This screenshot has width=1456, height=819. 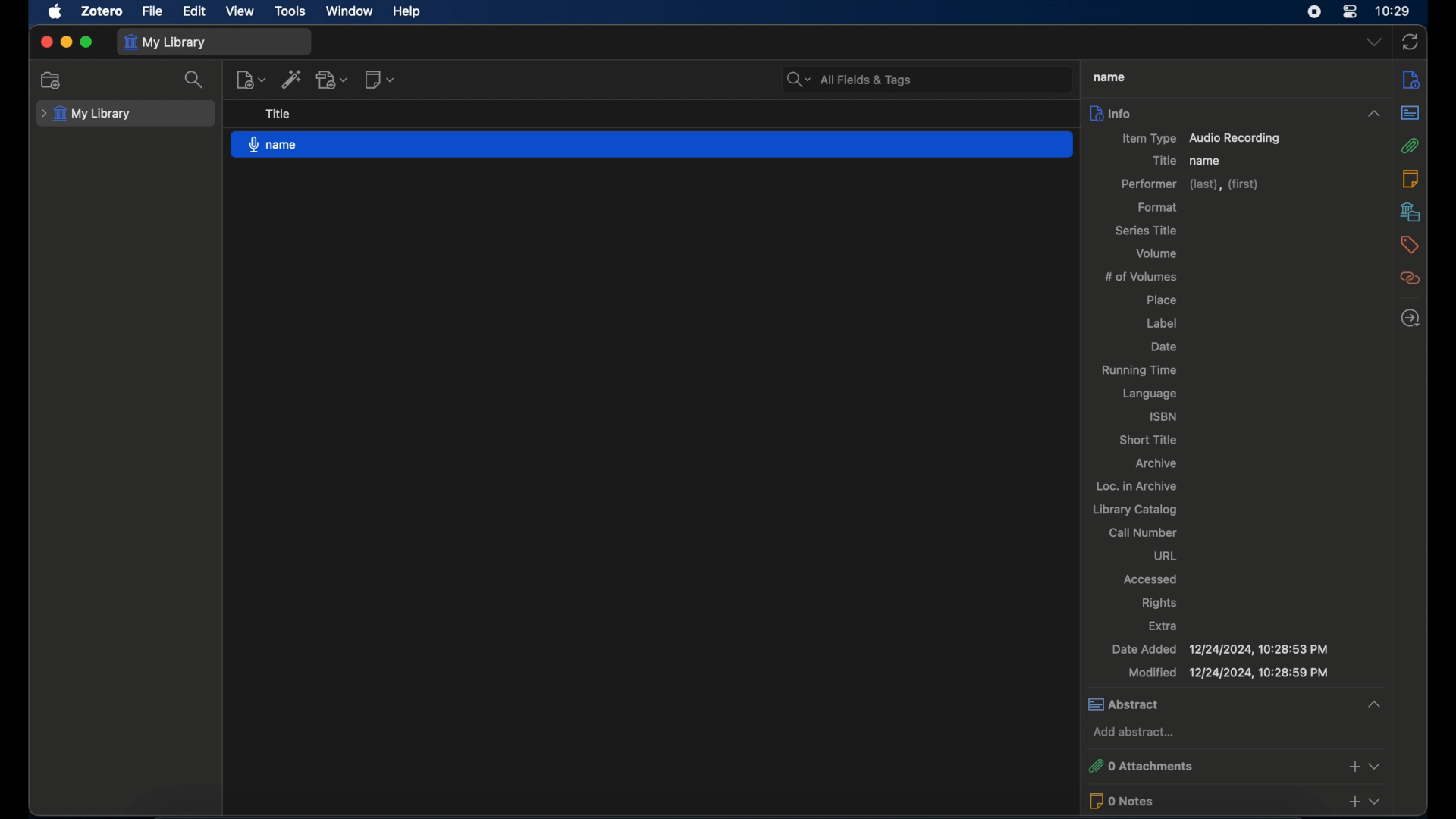 I want to click on archive, so click(x=1159, y=464).